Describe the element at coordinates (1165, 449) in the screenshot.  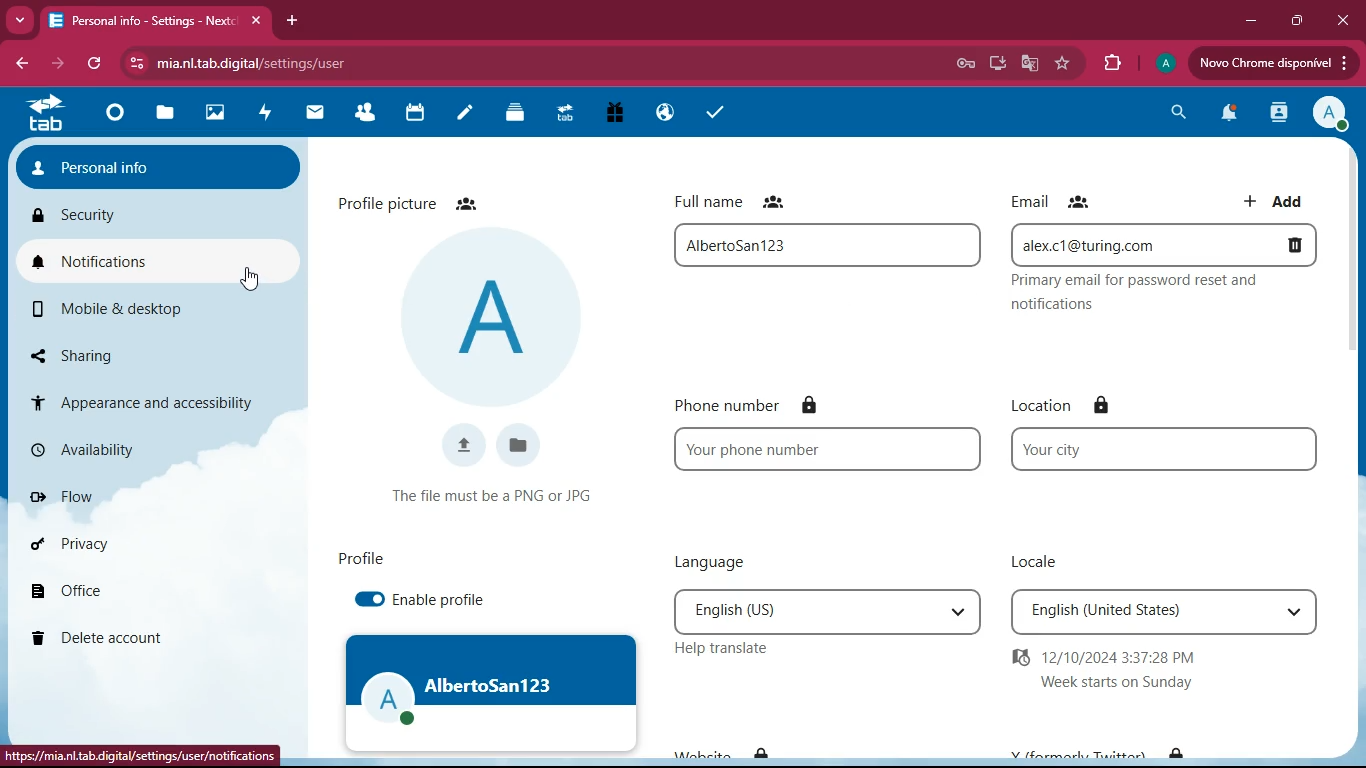
I see `location` at that location.